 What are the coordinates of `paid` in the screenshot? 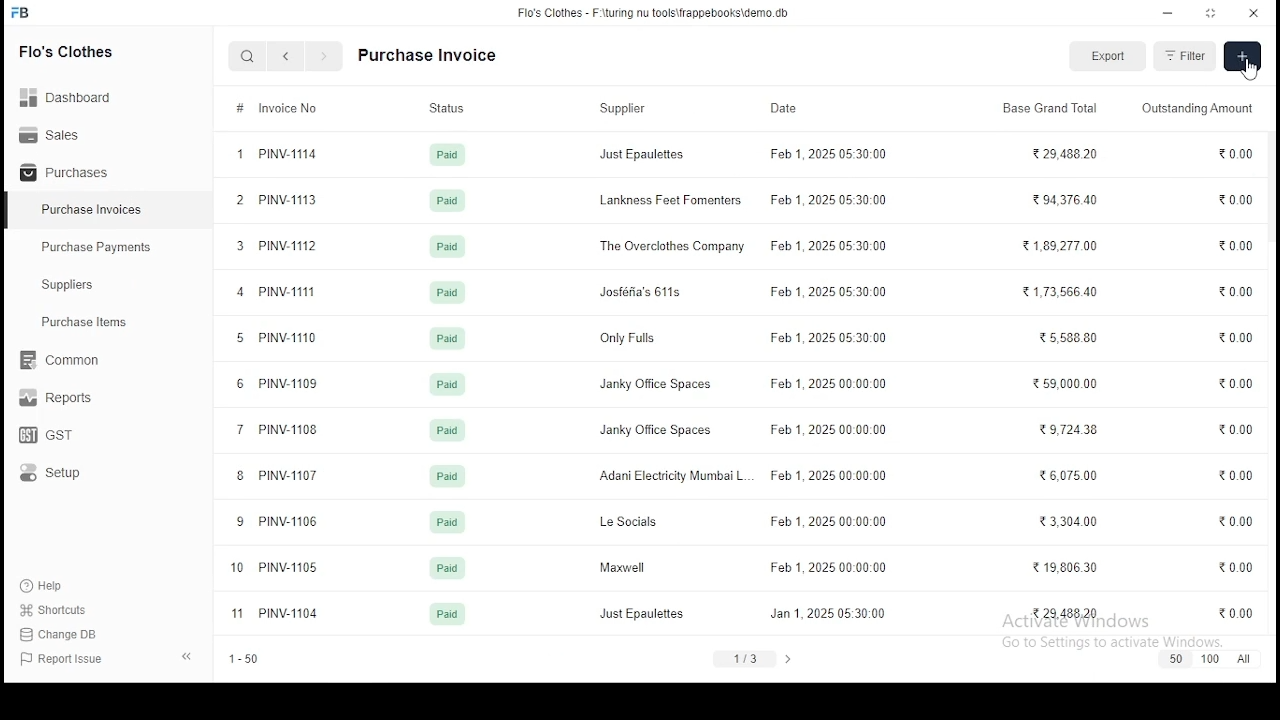 It's located at (450, 157).